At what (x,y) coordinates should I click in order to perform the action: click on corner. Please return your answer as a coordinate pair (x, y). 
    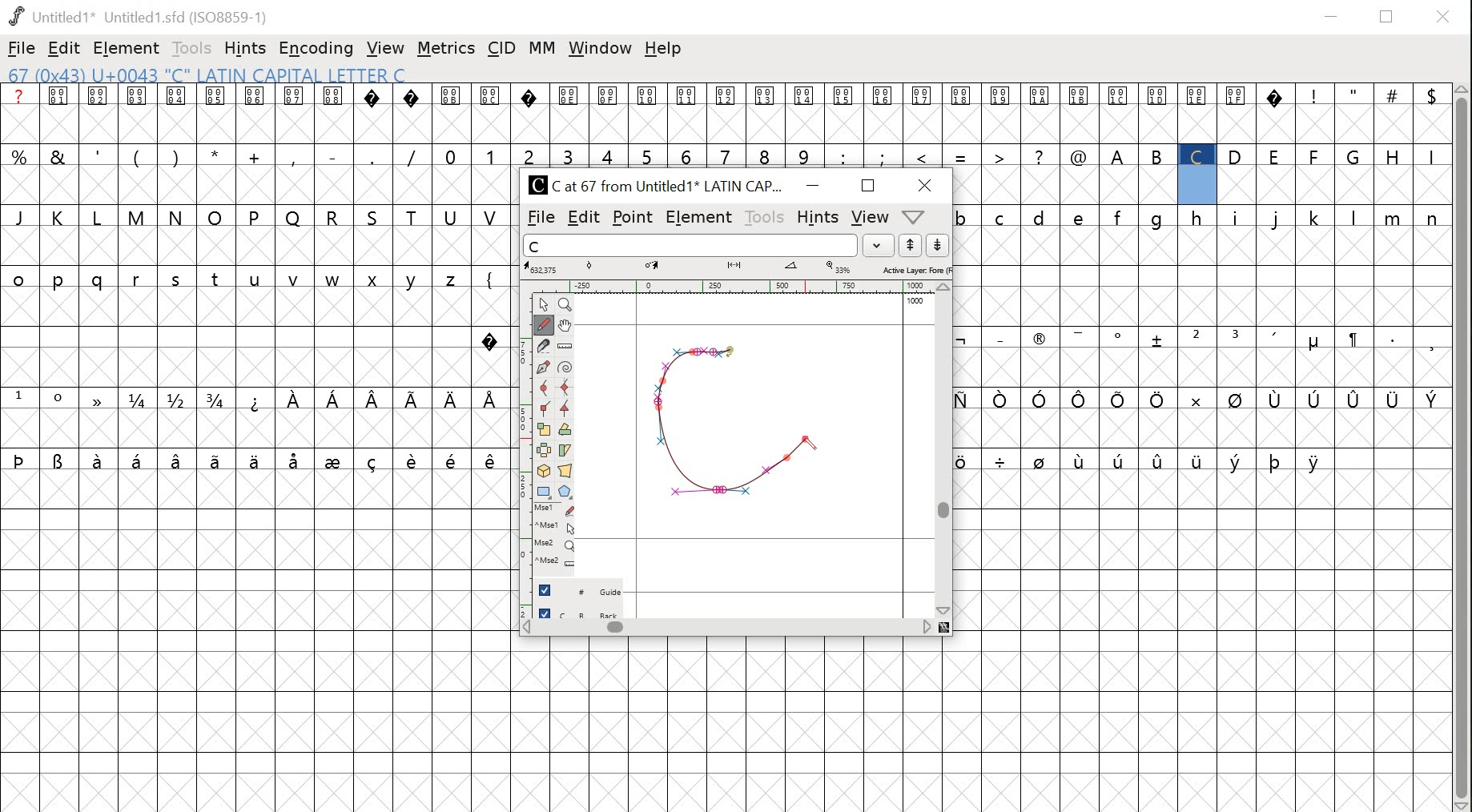
    Looking at the image, I should click on (546, 409).